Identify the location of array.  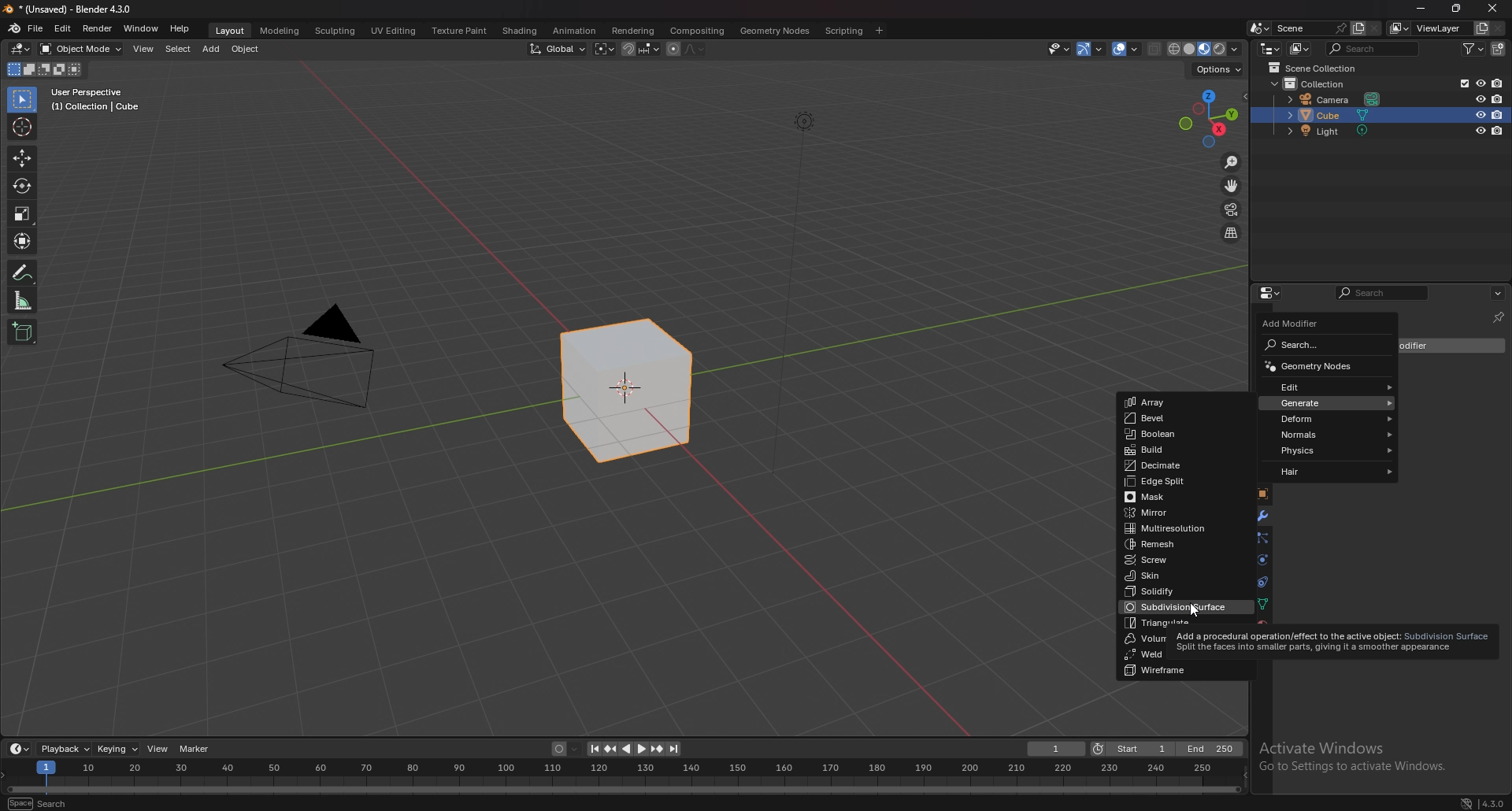
(1188, 401).